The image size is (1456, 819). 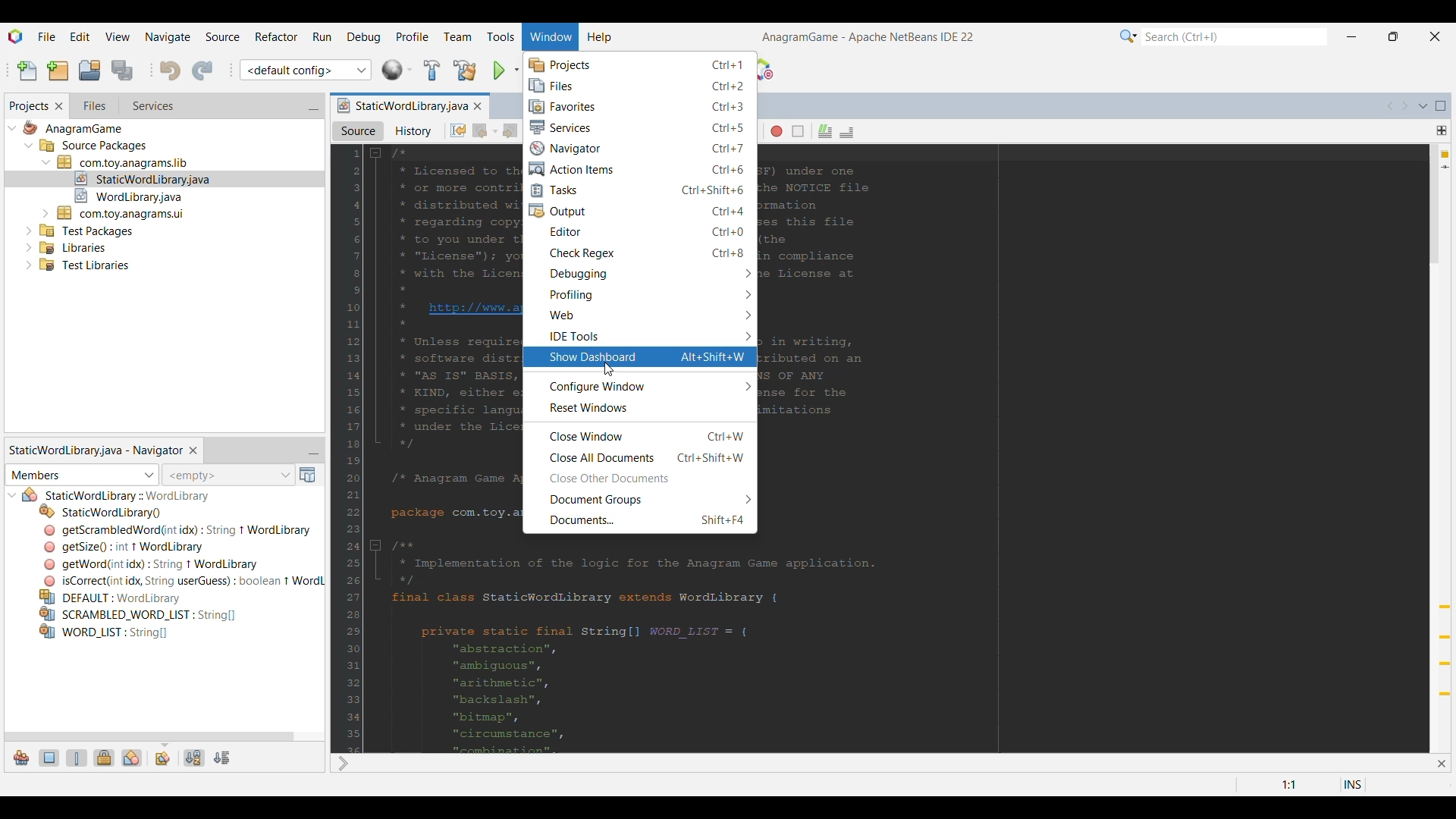 I want to click on Current tab highlighted, so click(x=400, y=105).